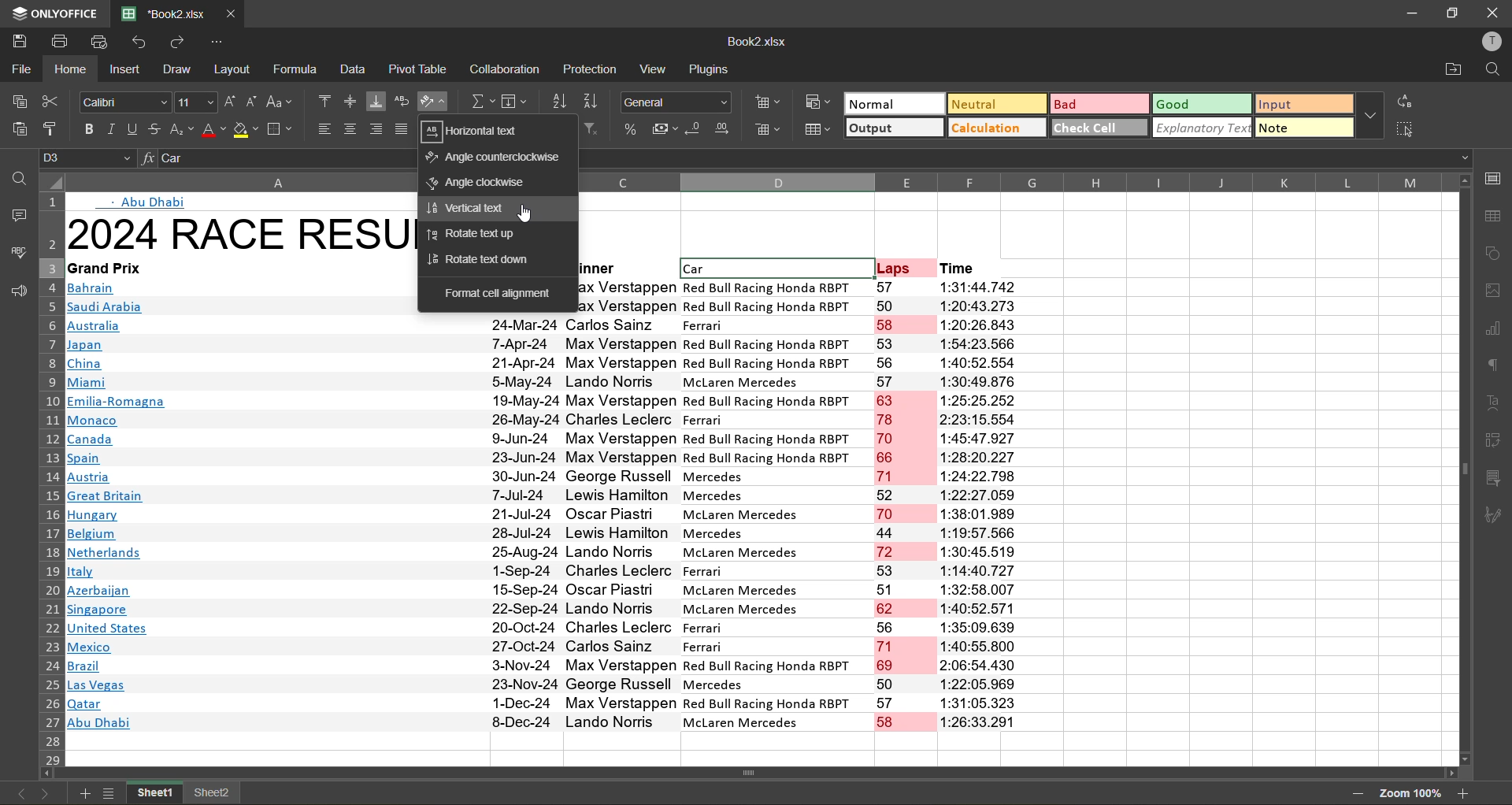 This screenshot has height=805, width=1512. I want to click on paste, so click(18, 131).